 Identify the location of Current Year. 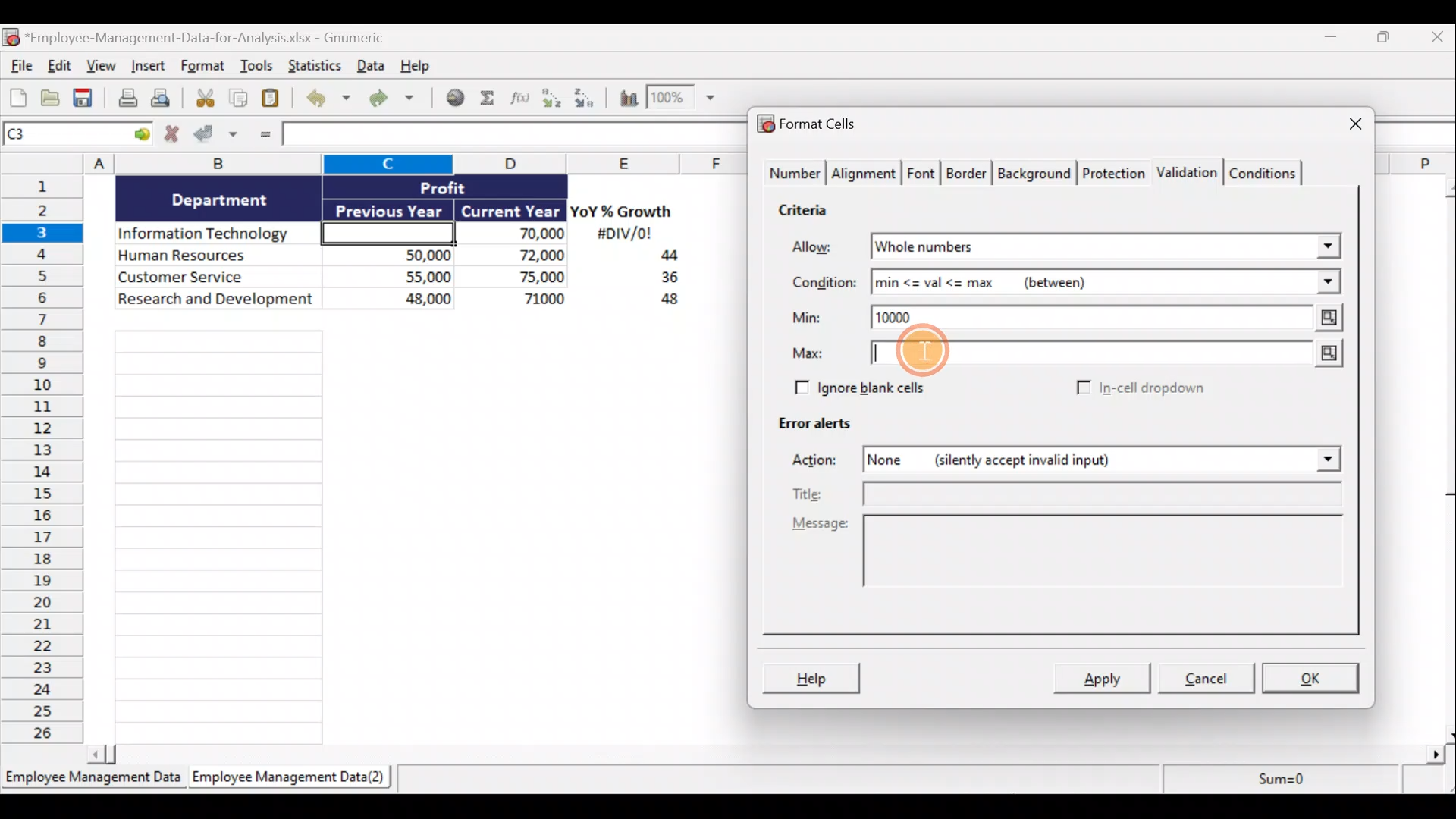
(509, 212).